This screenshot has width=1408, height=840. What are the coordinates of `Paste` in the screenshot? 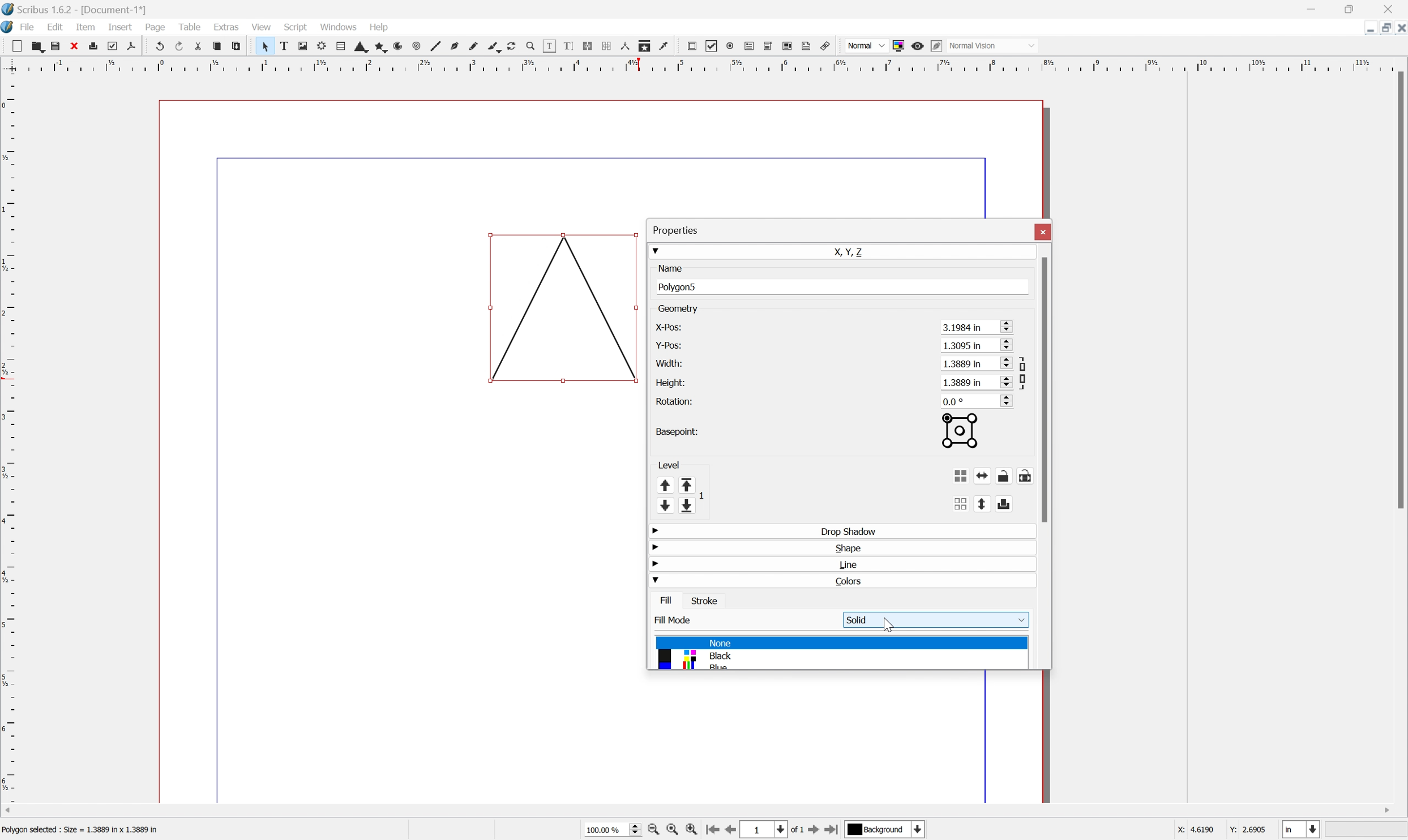 It's located at (241, 47).